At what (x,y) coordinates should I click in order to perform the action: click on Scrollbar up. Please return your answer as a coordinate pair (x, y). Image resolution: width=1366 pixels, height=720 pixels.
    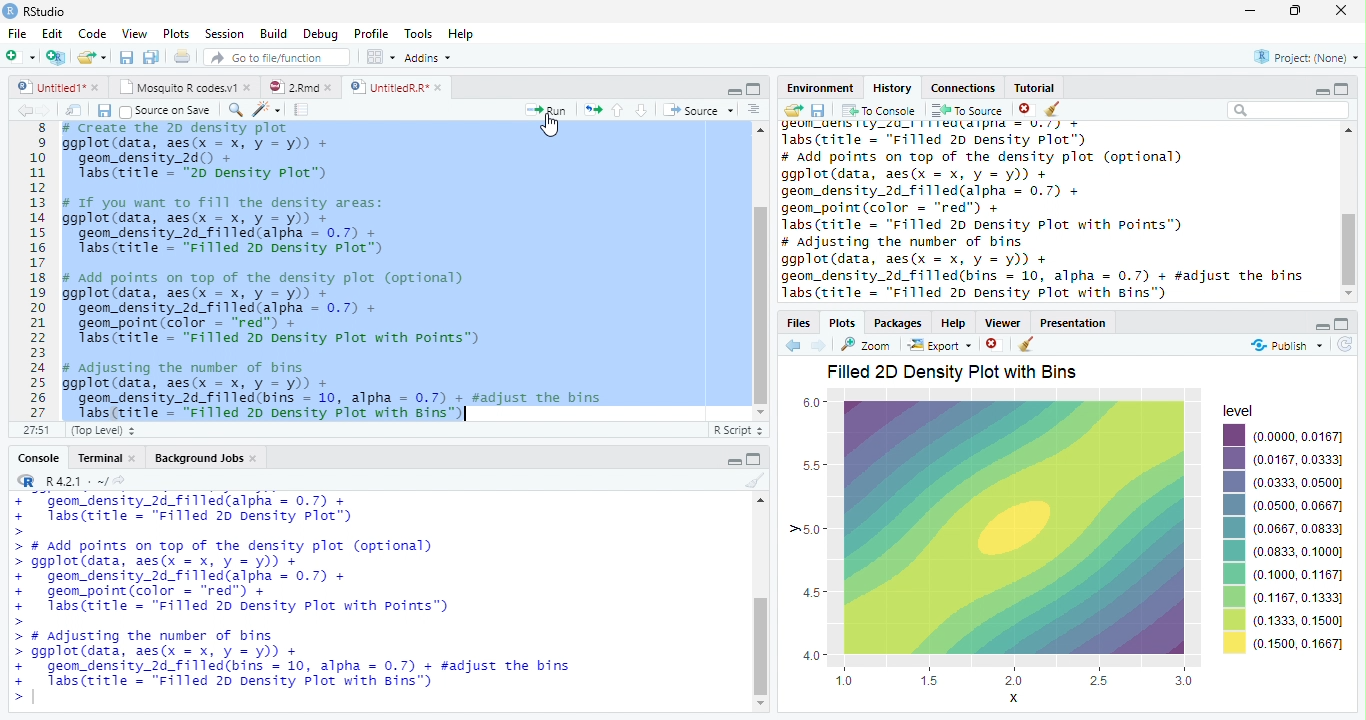
    Looking at the image, I should click on (759, 501).